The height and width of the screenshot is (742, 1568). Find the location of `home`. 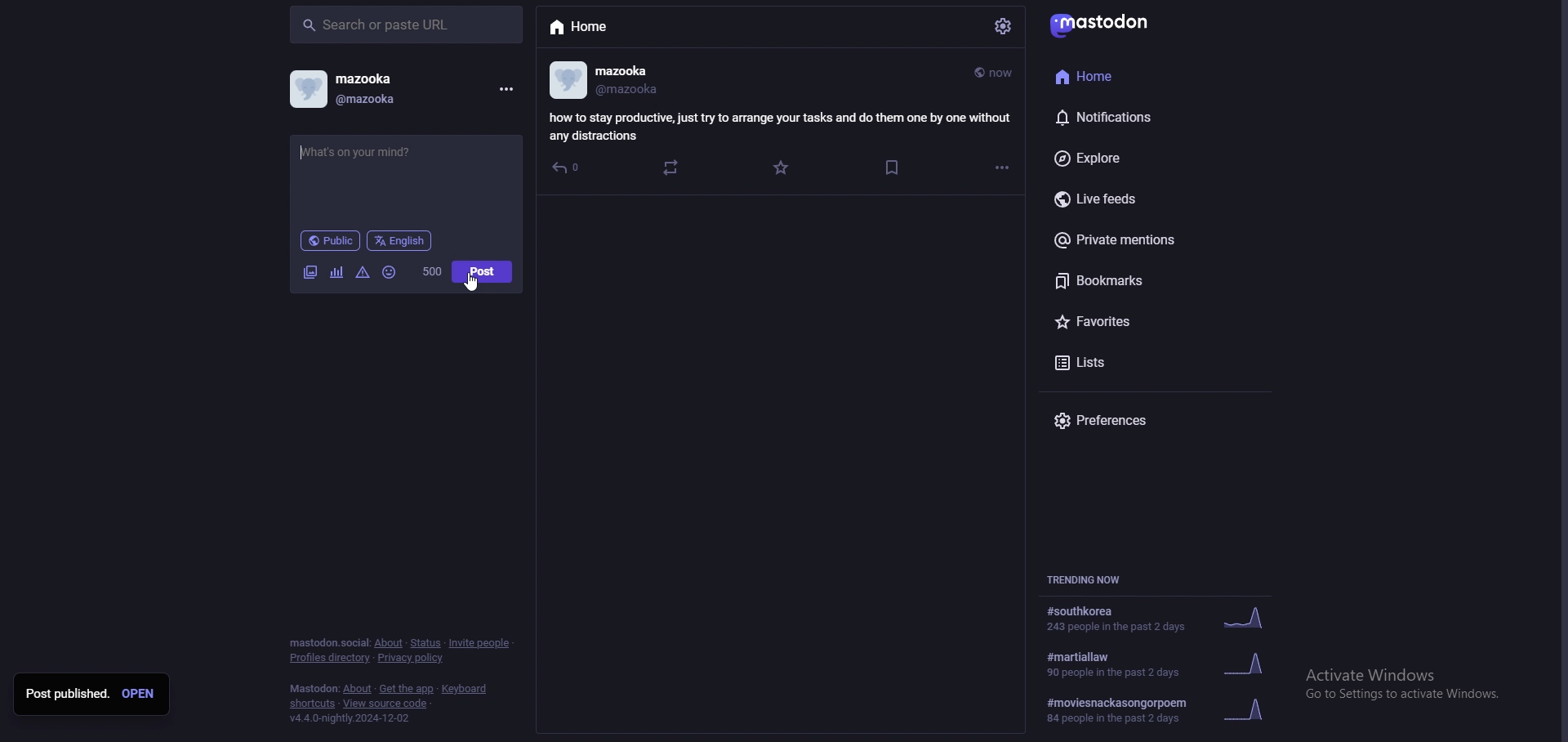

home is located at coordinates (1125, 78).